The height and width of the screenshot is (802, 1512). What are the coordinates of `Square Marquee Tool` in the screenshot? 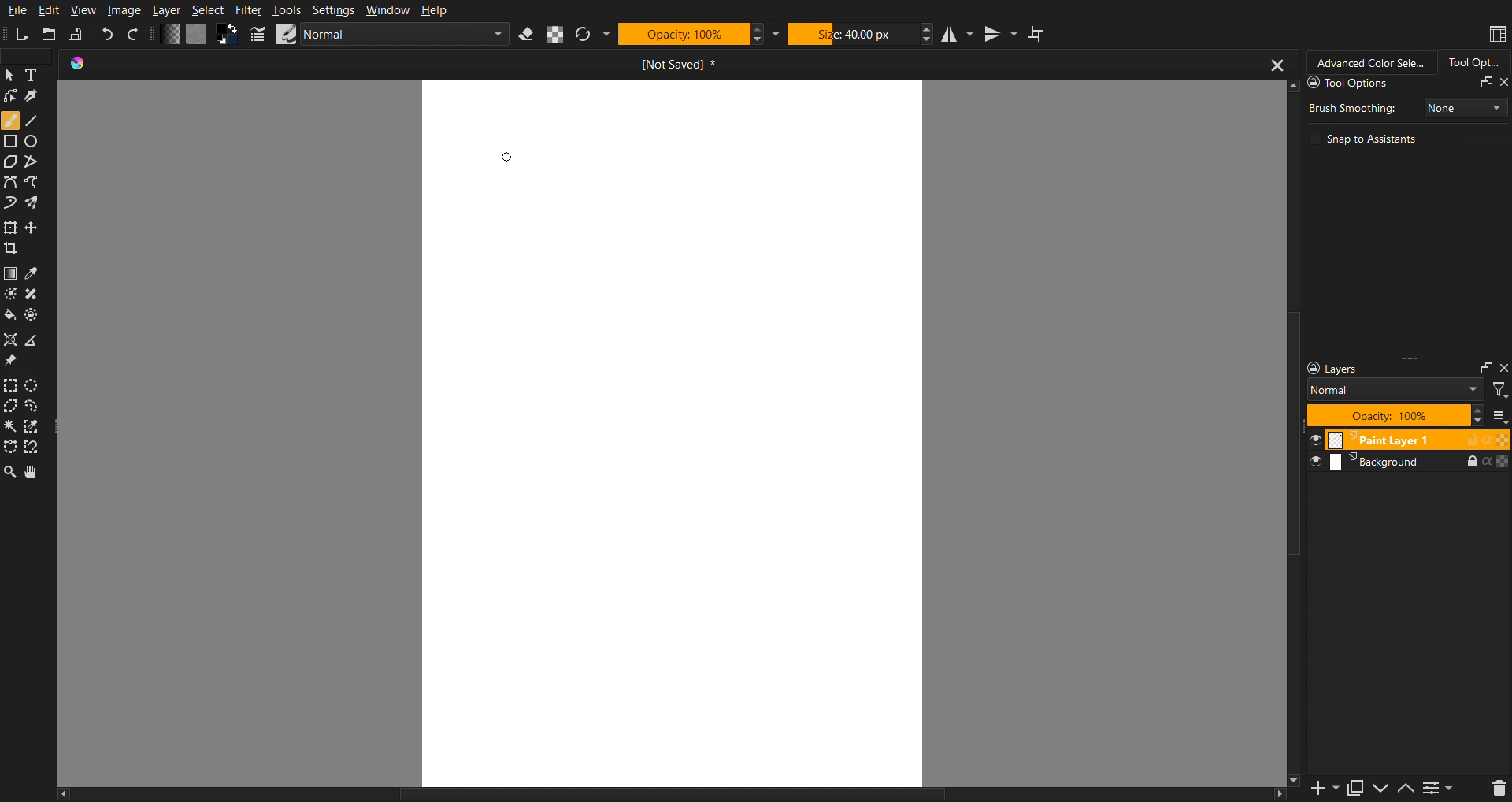 It's located at (13, 386).